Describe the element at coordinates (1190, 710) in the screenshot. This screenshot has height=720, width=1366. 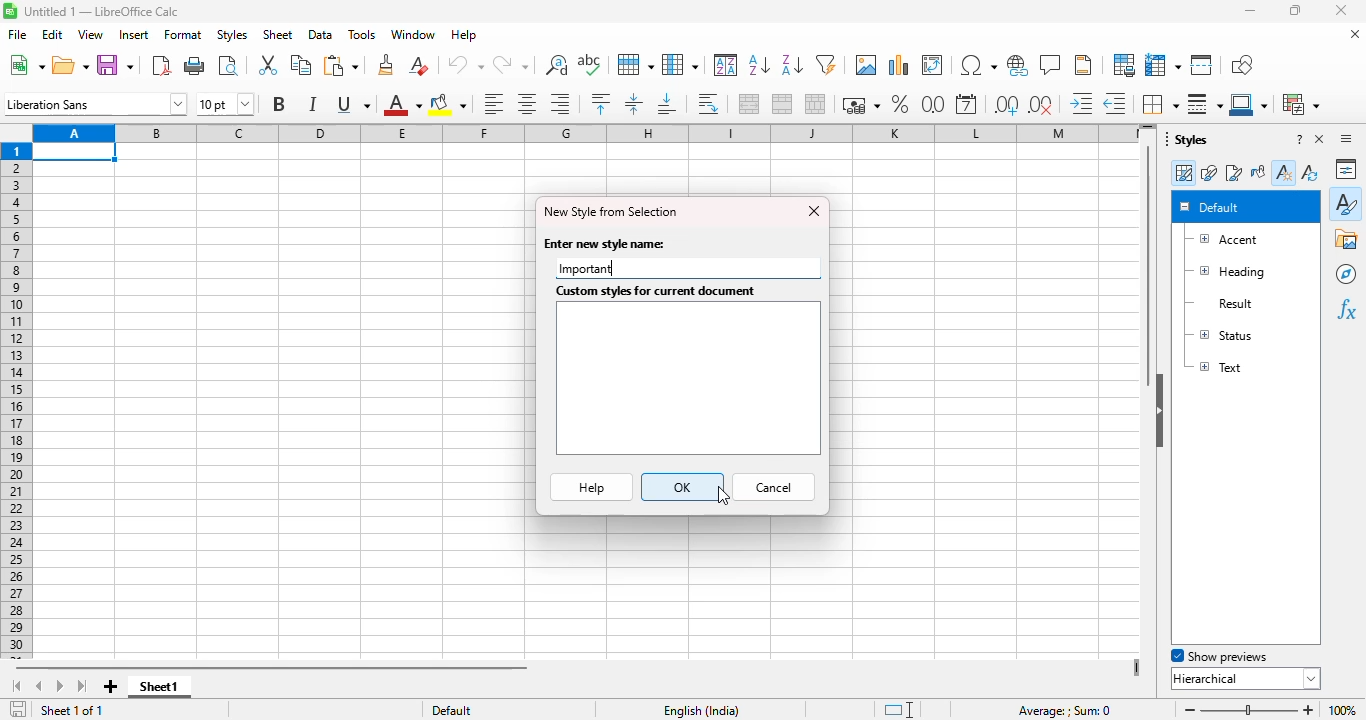
I see `zoom out` at that location.